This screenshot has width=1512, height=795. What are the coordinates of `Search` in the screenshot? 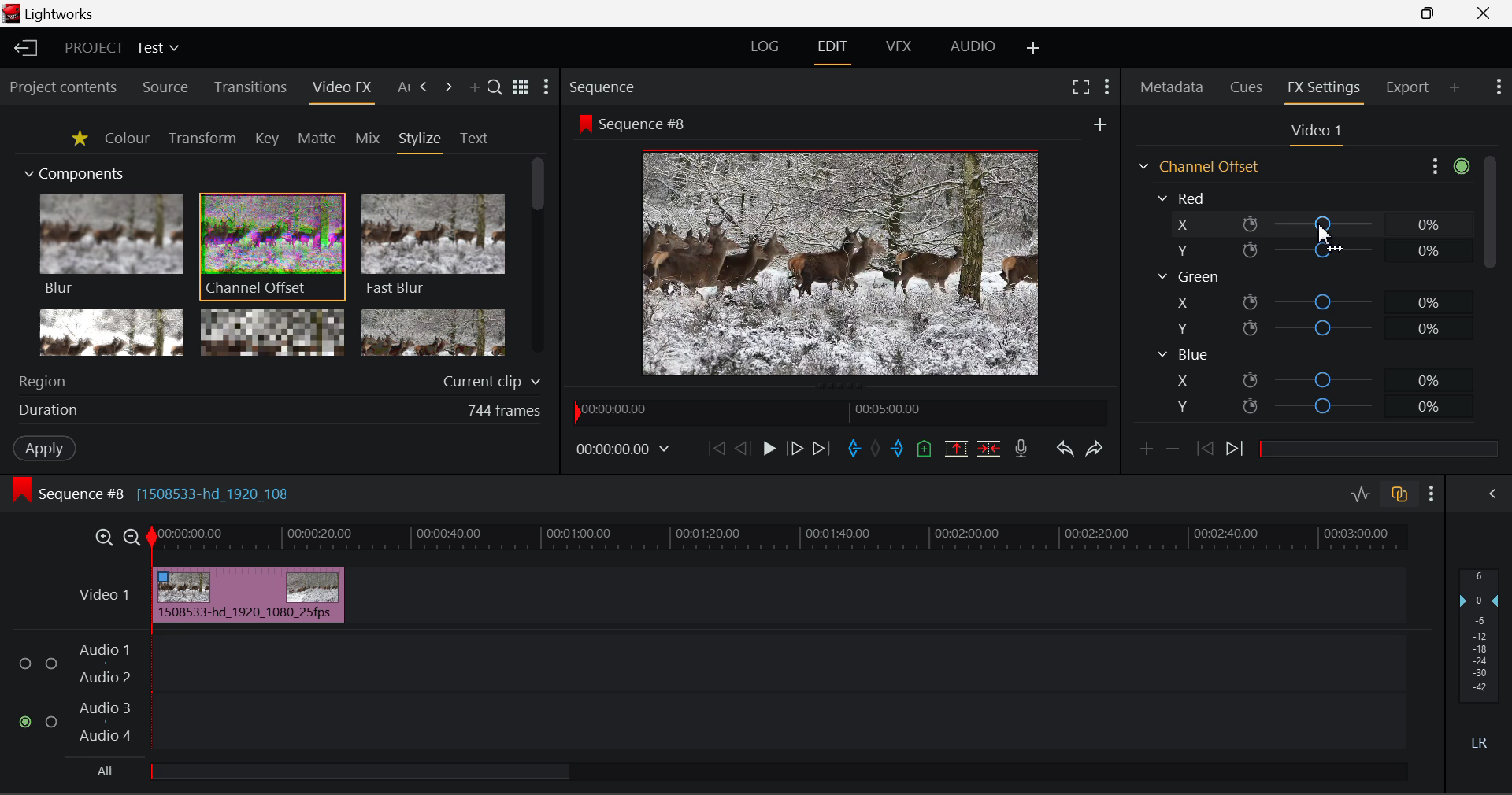 It's located at (495, 87).